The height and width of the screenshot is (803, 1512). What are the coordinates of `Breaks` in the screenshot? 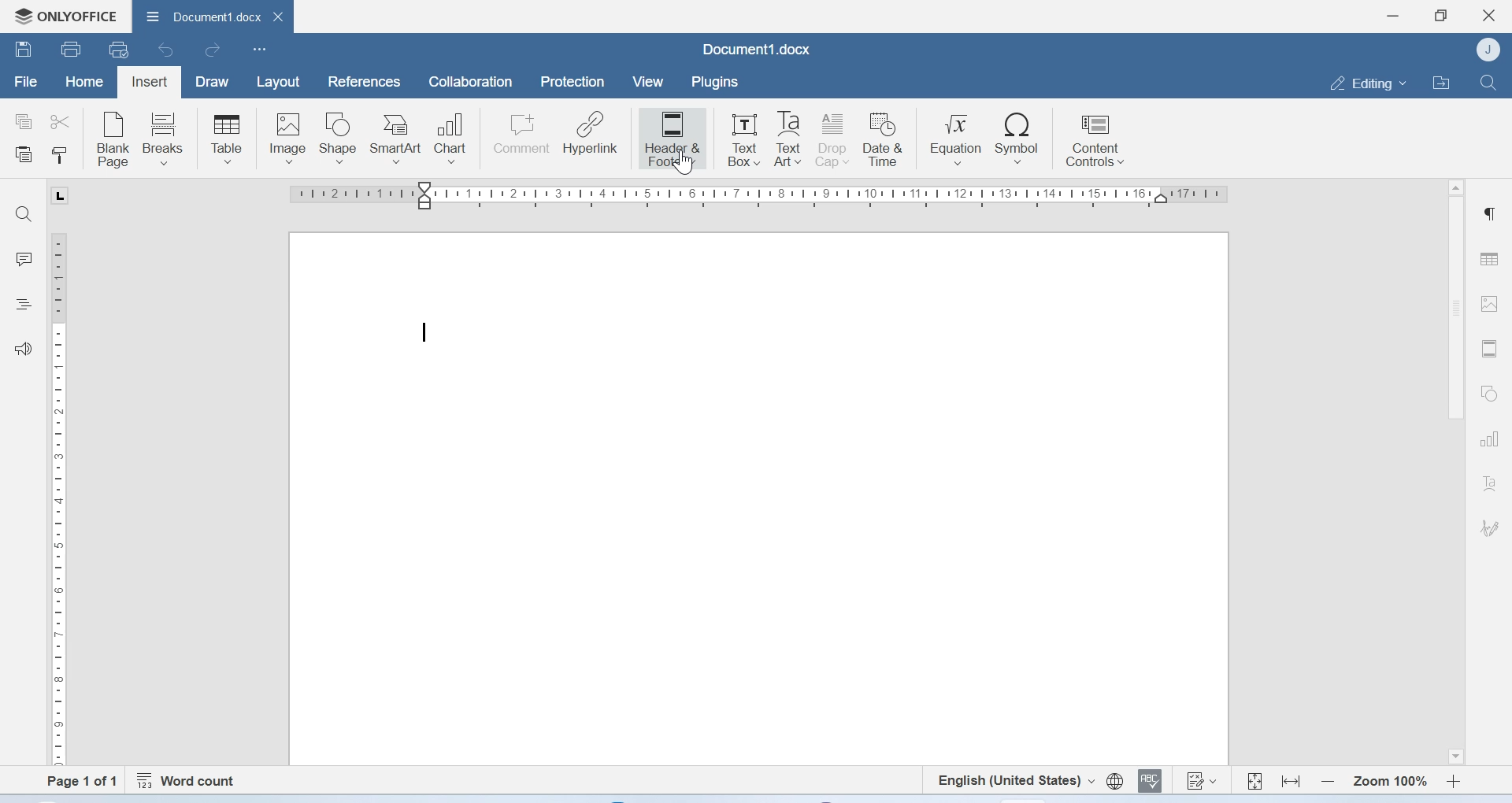 It's located at (168, 138).